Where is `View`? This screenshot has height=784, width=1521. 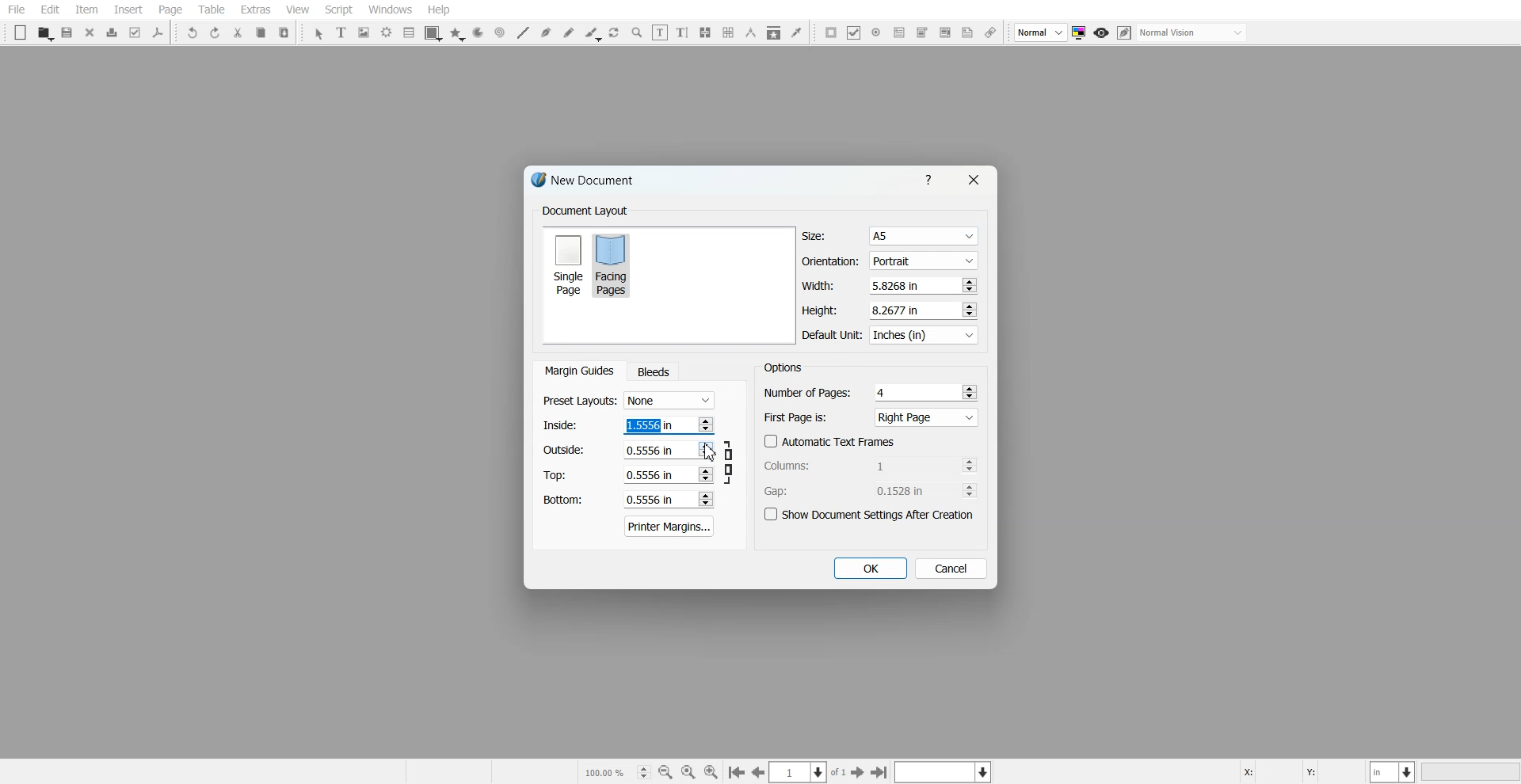
View is located at coordinates (297, 10).